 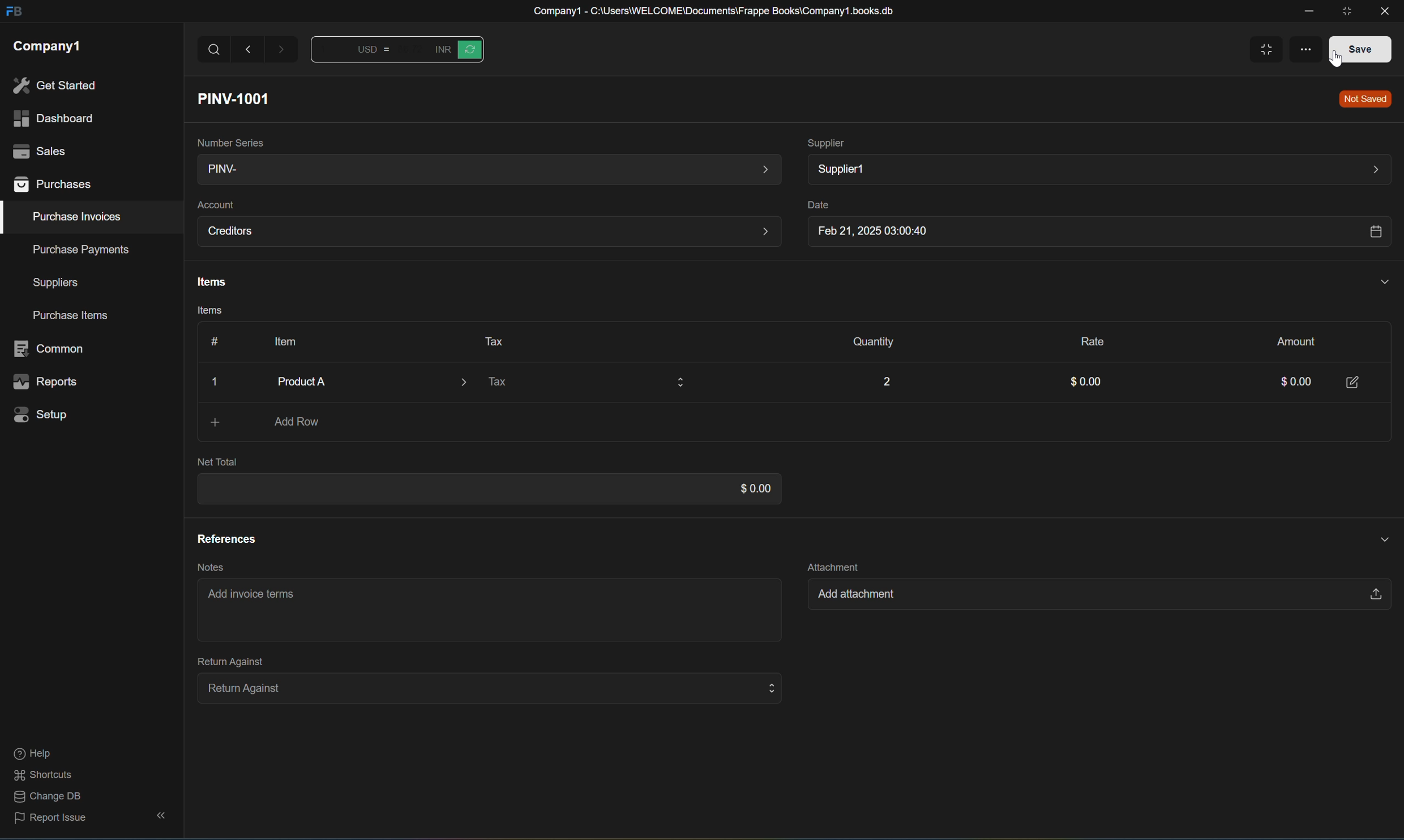 I want to click on Rate, so click(x=1086, y=339).